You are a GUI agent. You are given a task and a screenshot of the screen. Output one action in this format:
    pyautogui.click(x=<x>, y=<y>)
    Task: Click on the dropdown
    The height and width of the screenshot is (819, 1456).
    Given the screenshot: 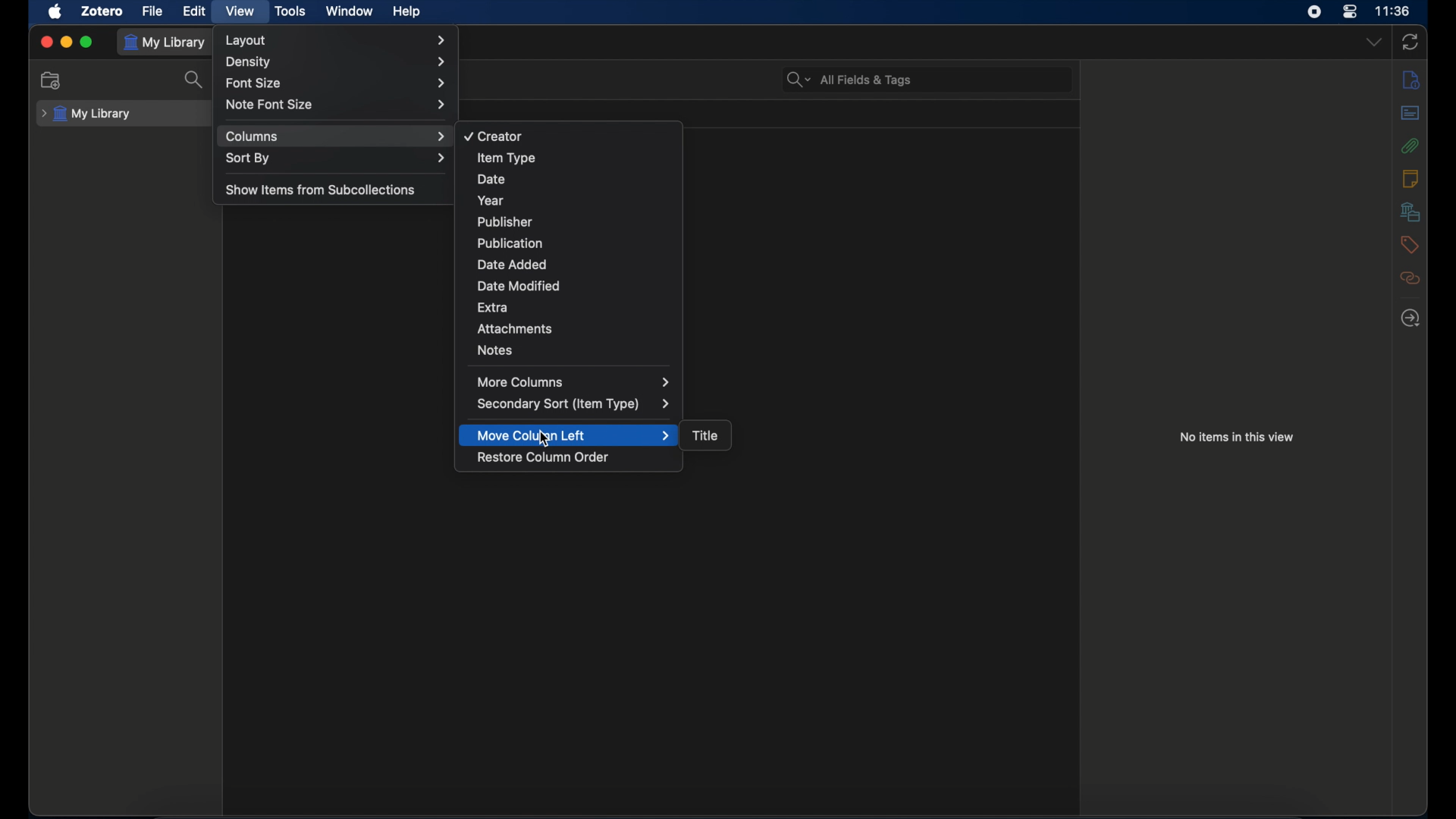 What is the action you would take?
    pyautogui.click(x=1375, y=42)
    